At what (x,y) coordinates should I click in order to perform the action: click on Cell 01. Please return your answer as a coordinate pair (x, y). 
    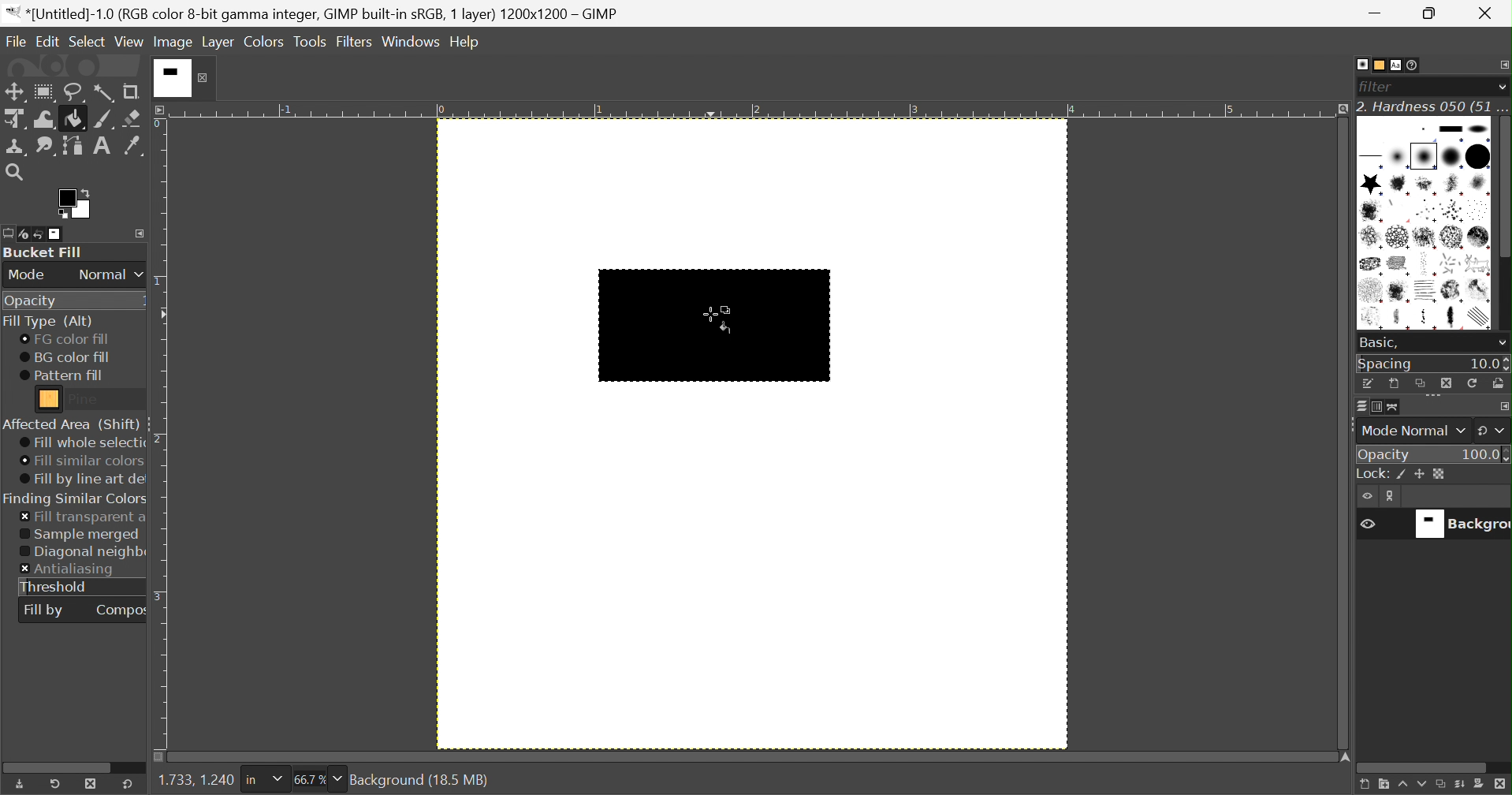
    Looking at the image, I should click on (1371, 237).